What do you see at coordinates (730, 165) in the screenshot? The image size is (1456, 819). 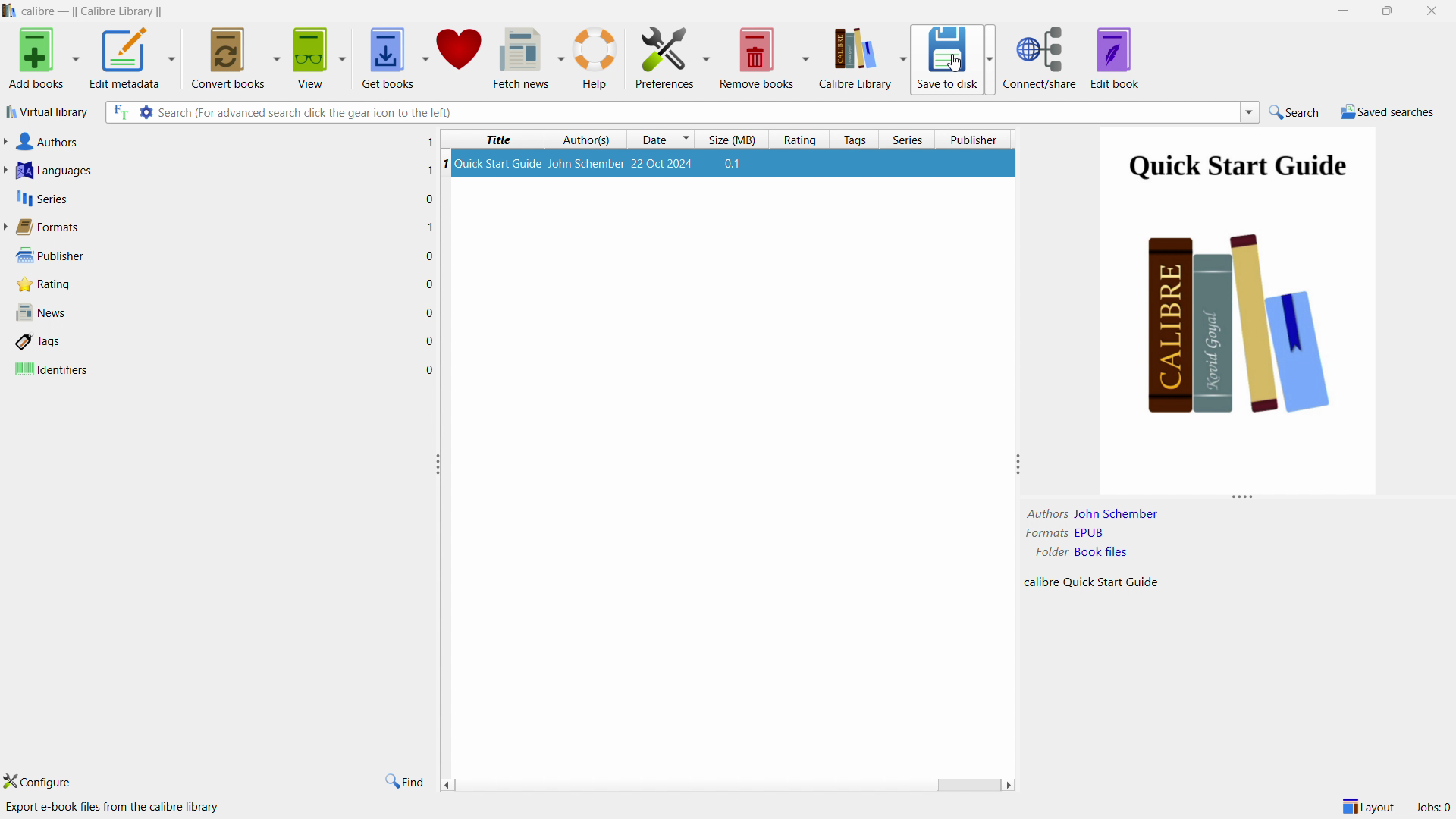 I see `1 Quick Start Guide John Schember 22 Oct 2024 0.1 ` at bounding box center [730, 165].